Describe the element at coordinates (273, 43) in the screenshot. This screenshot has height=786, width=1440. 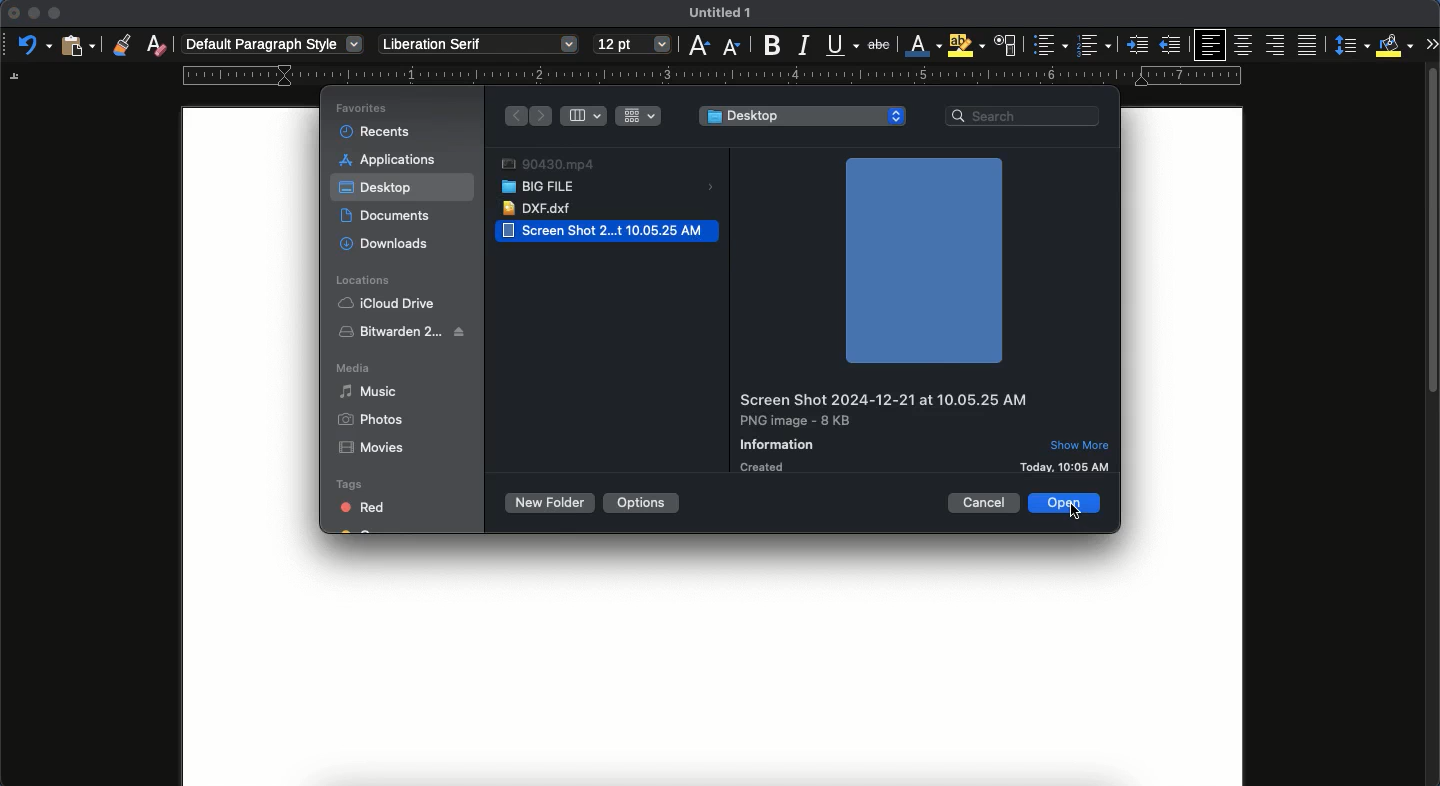
I see `default paragraph style` at that location.